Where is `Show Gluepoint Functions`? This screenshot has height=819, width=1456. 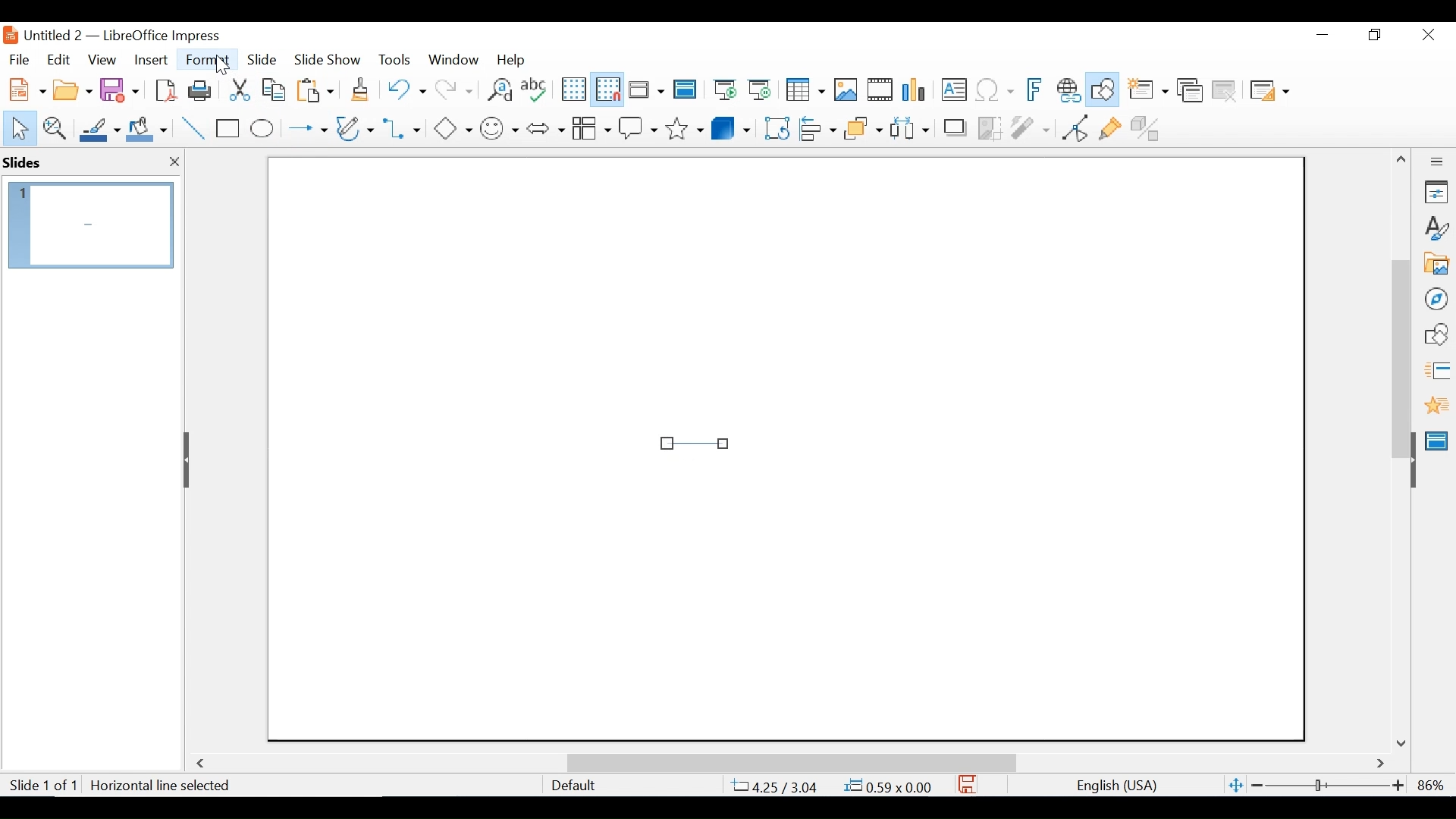 Show Gluepoint Functions is located at coordinates (1109, 127).